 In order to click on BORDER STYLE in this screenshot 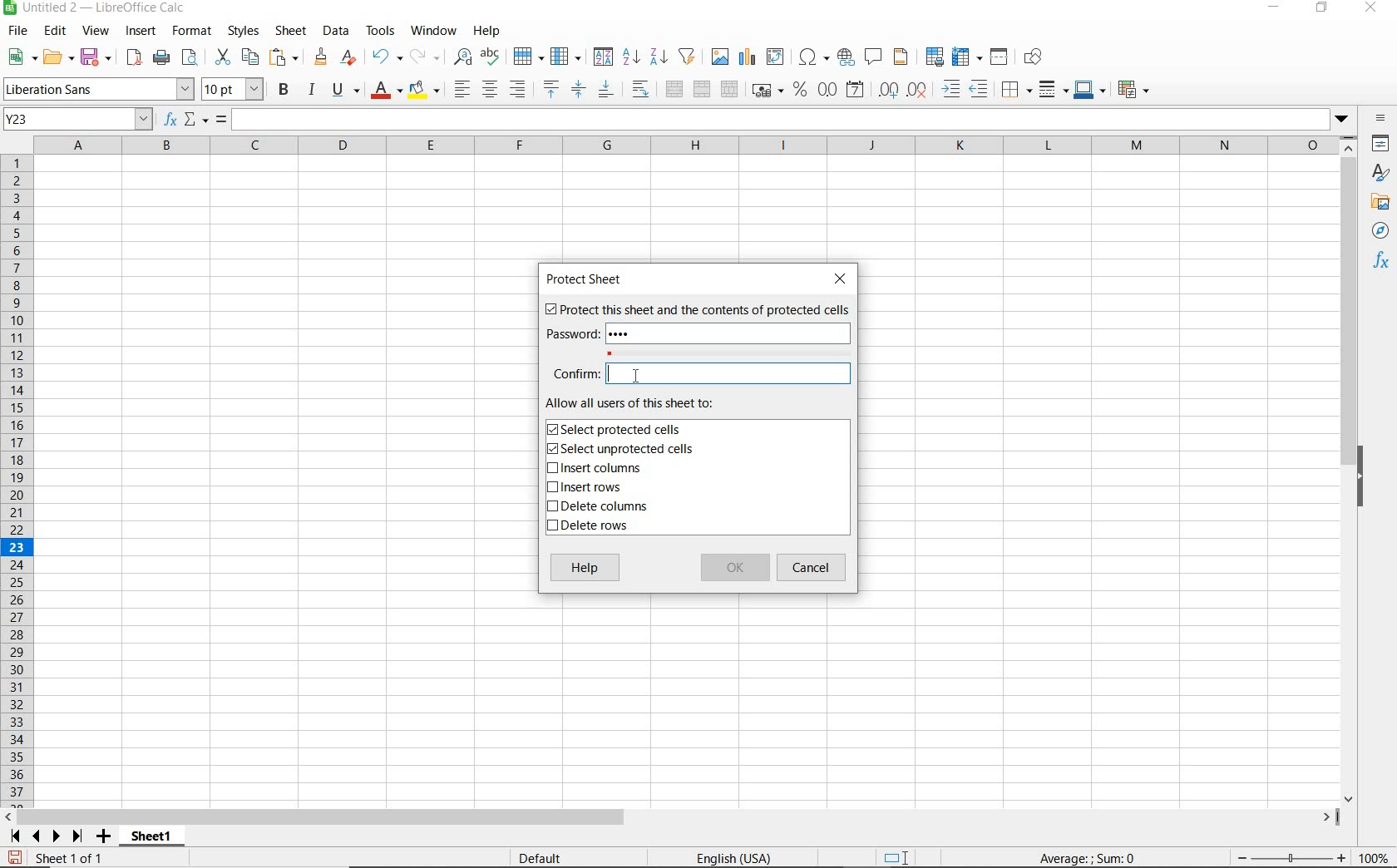, I will do `click(1051, 89)`.